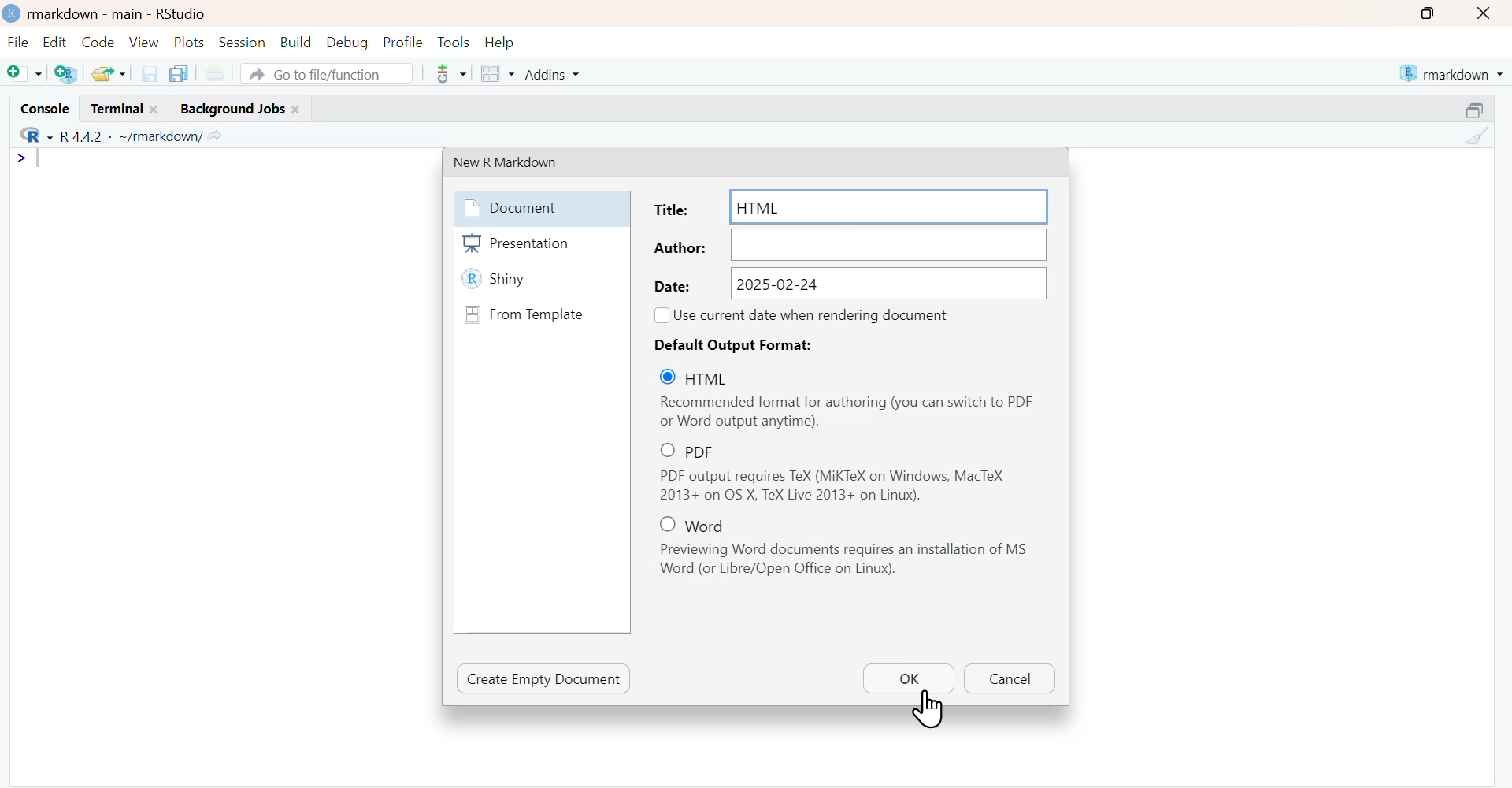 Image resolution: width=1512 pixels, height=788 pixels. What do you see at coordinates (191, 43) in the screenshot?
I see `Plots` at bounding box center [191, 43].